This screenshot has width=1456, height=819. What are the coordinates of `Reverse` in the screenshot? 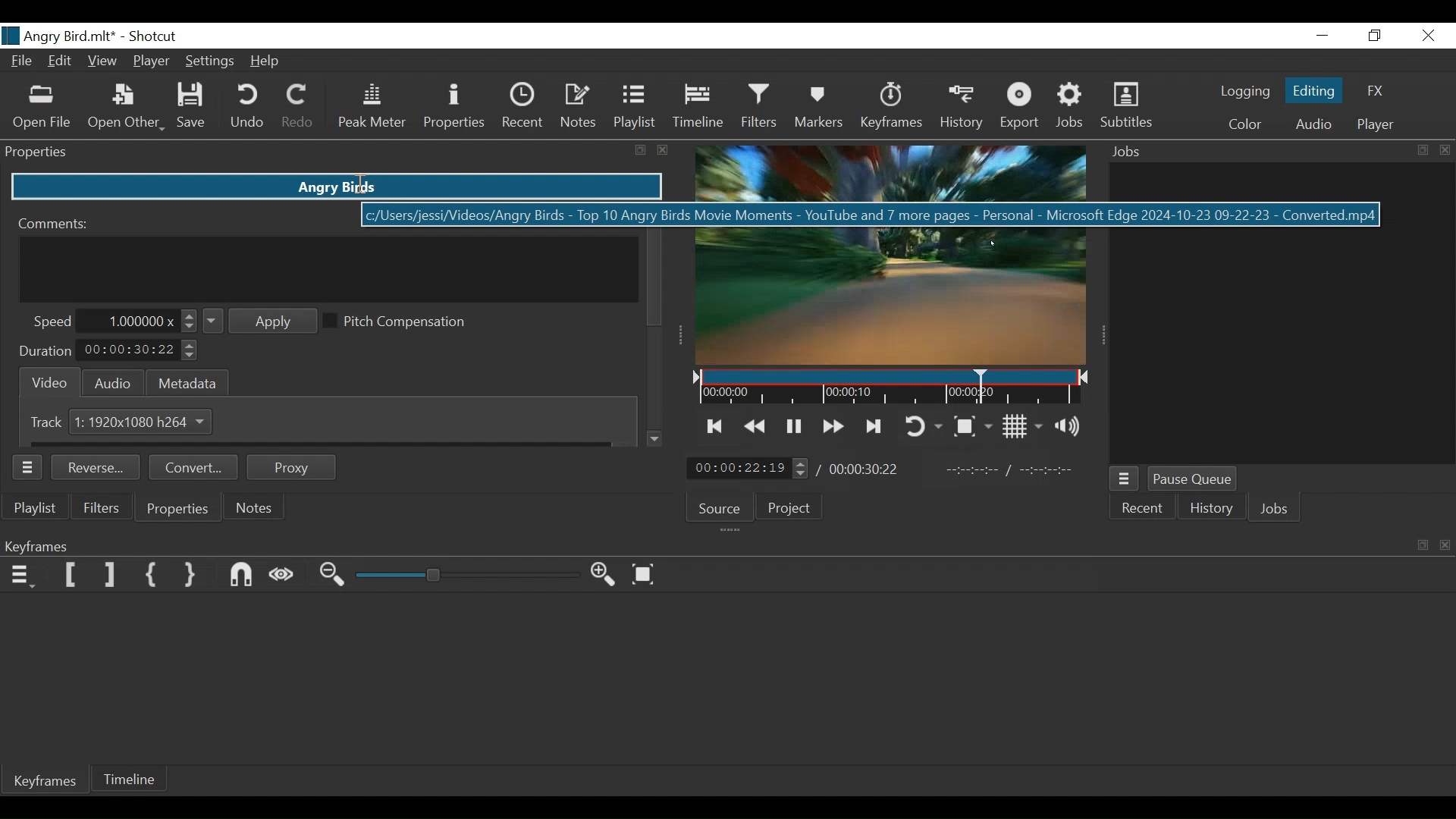 It's located at (99, 469).